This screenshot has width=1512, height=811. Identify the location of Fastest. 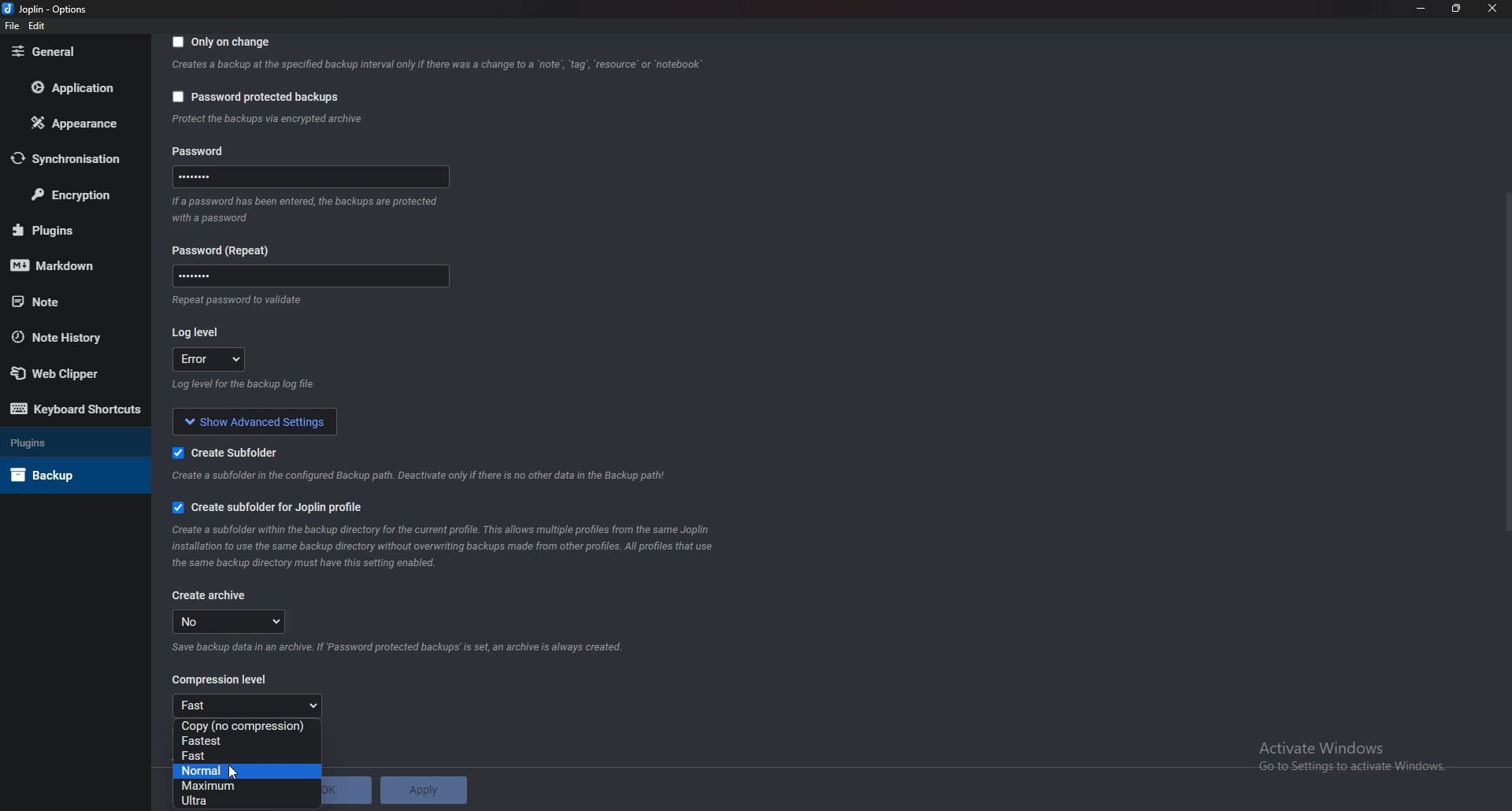
(243, 741).